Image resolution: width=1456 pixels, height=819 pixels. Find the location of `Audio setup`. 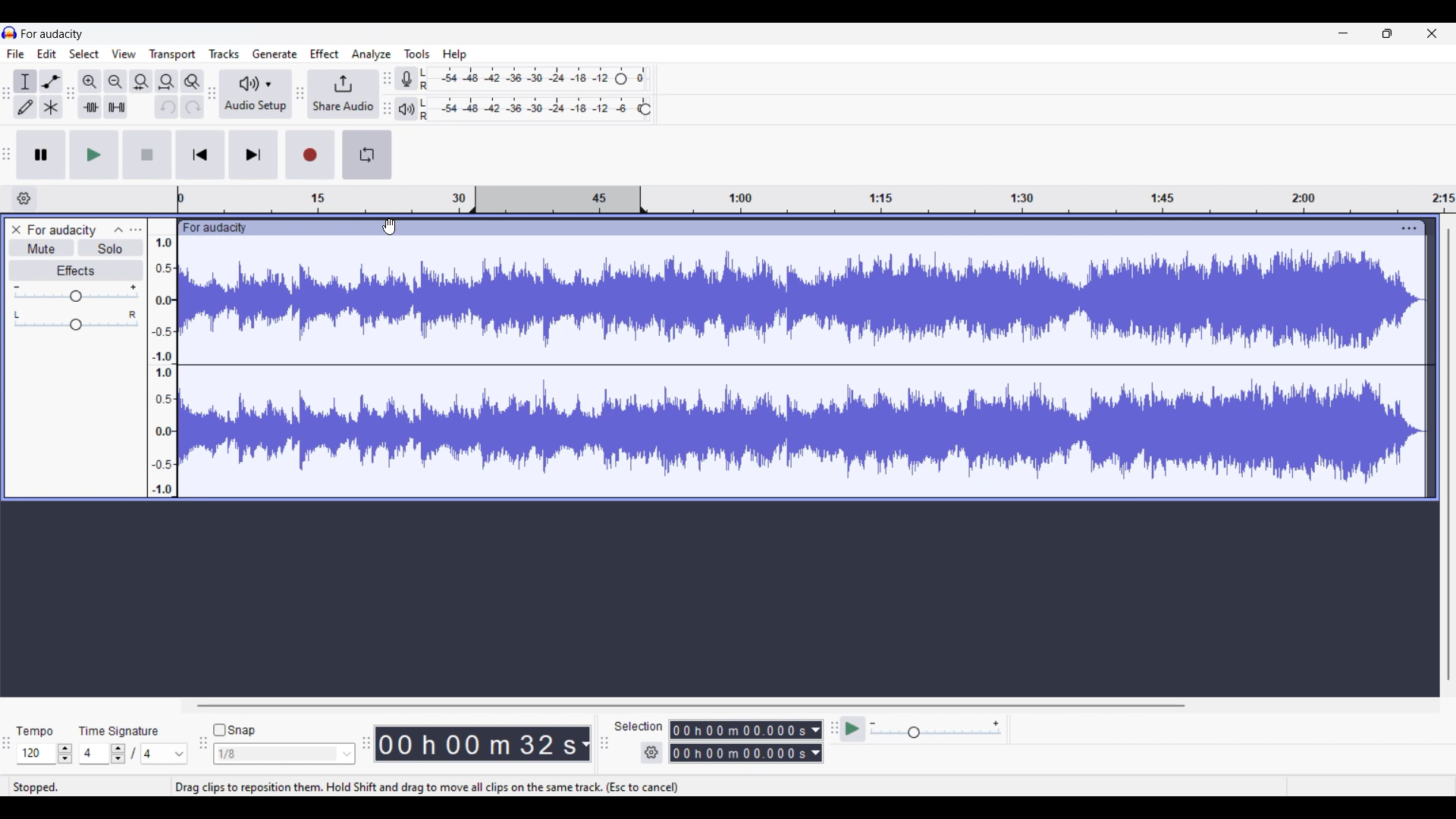

Audio setup is located at coordinates (256, 94).